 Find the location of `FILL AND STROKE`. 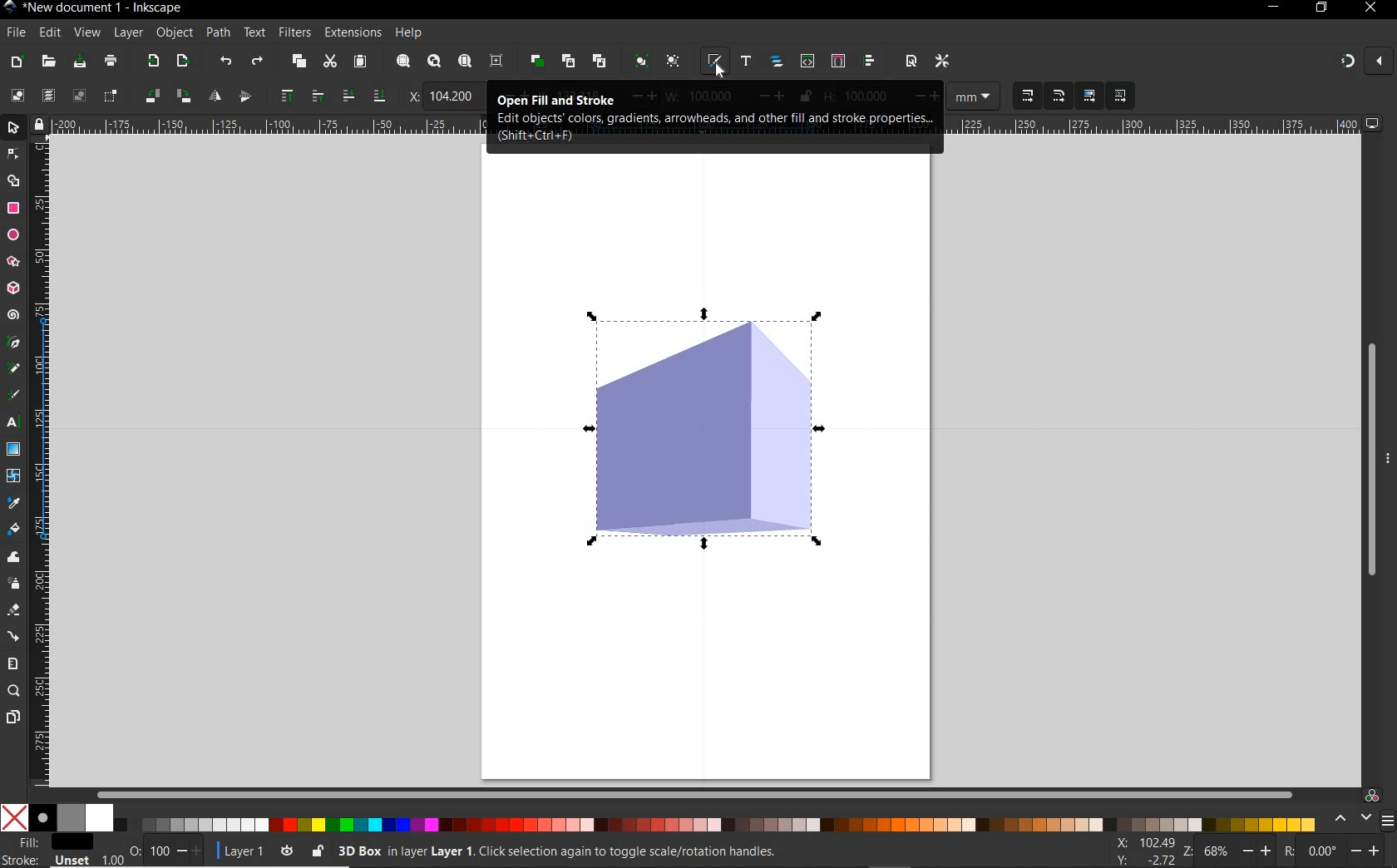

FILL AND STROKE is located at coordinates (49, 851).